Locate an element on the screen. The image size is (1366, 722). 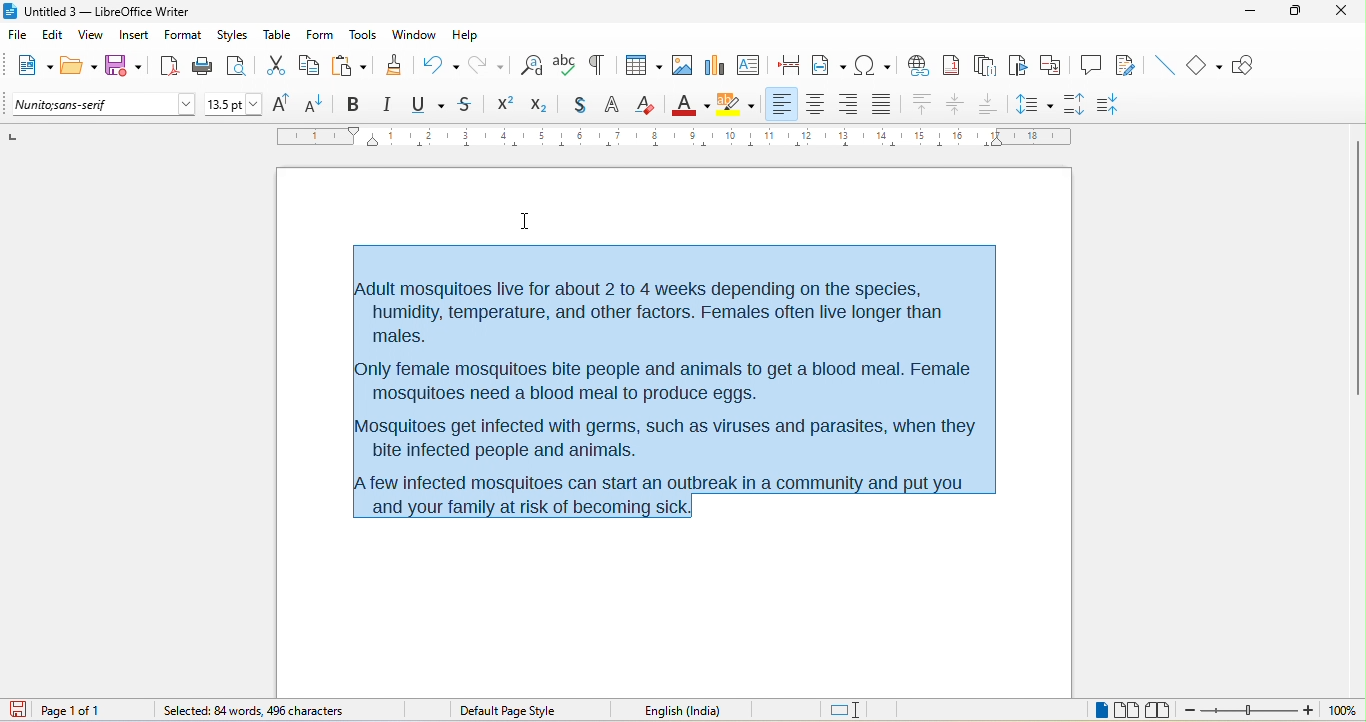
save is located at coordinates (125, 66).